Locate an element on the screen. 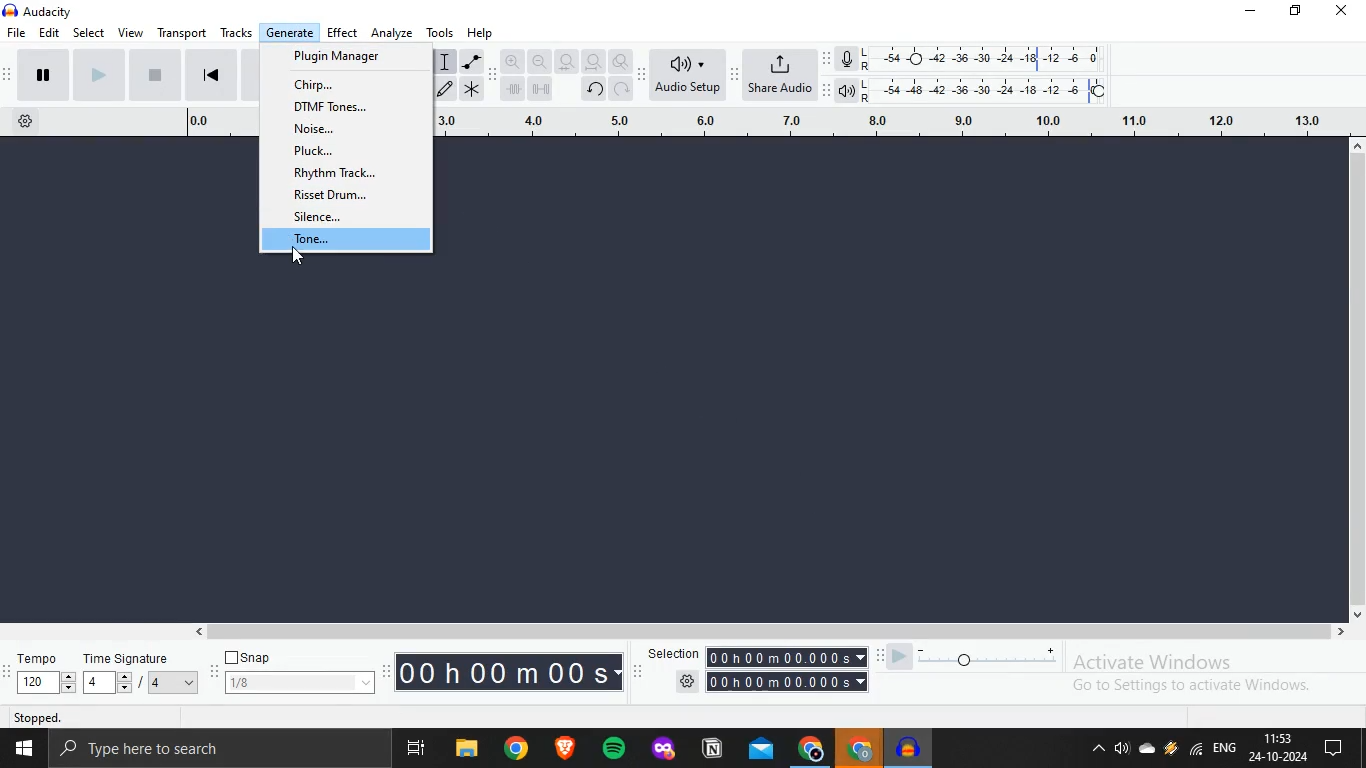 The width and height of the screenshot is (1366, 768). Share Audio is located at coordinates (781, 75).